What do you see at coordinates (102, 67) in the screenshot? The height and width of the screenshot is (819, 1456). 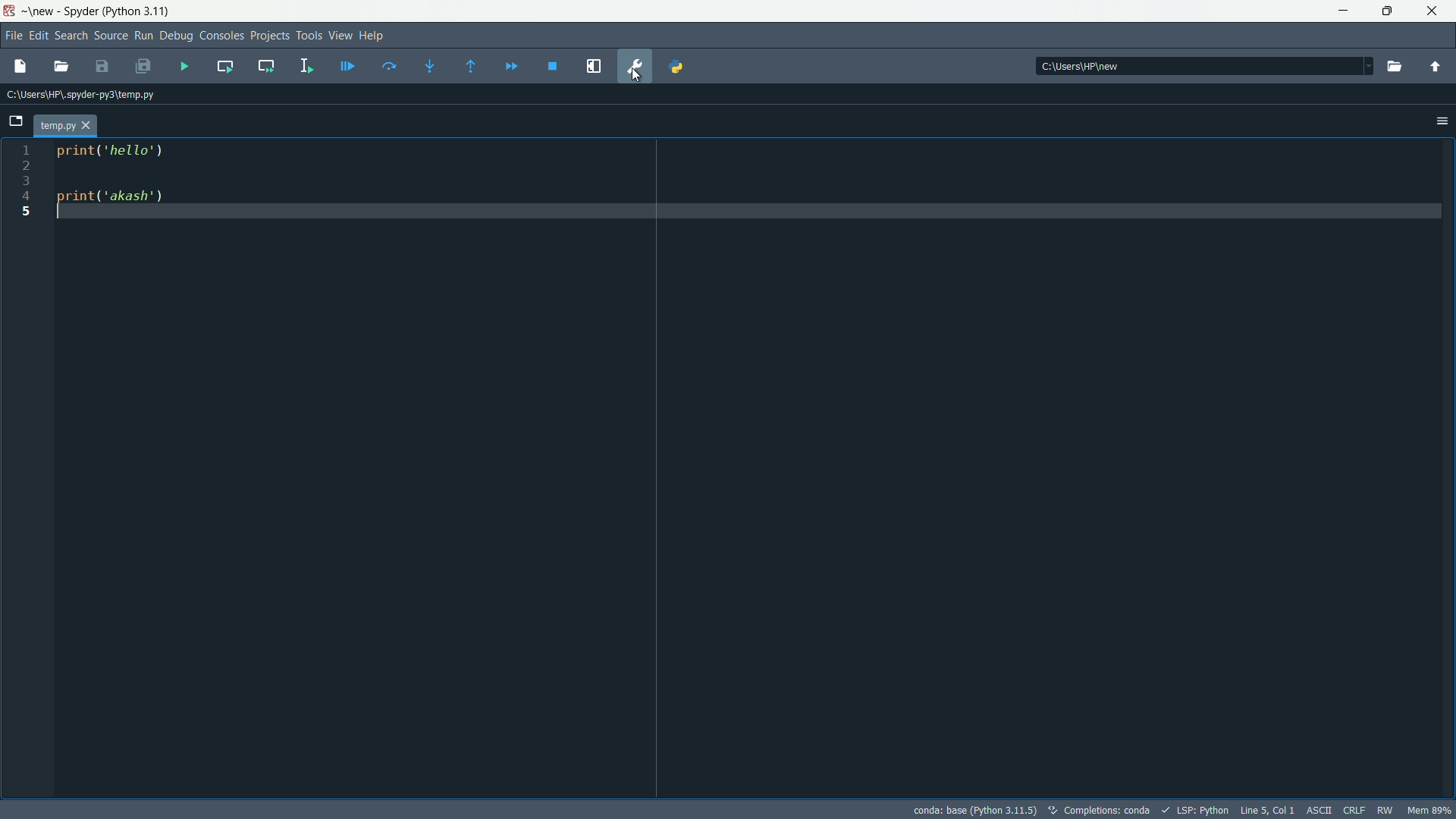 I see `save file` at bounding box center [102, 67].